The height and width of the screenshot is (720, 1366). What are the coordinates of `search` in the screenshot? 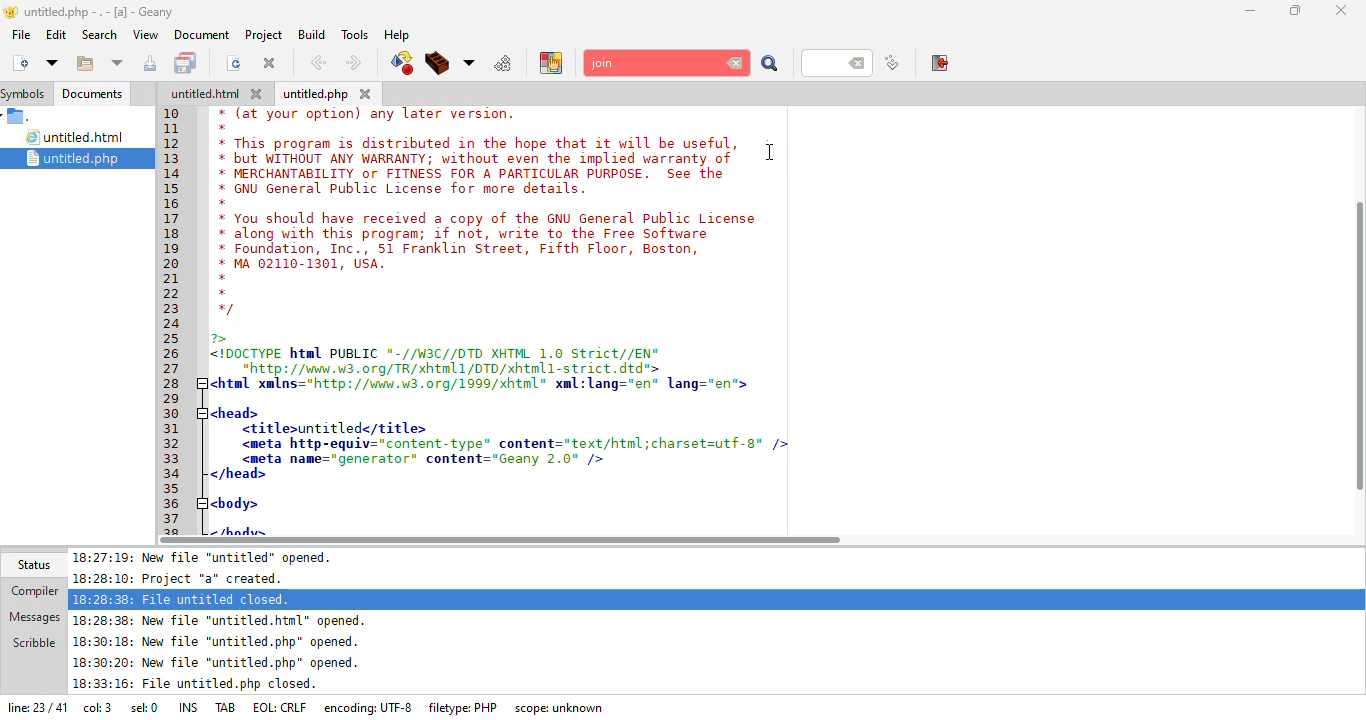 It's located at (99, 35).